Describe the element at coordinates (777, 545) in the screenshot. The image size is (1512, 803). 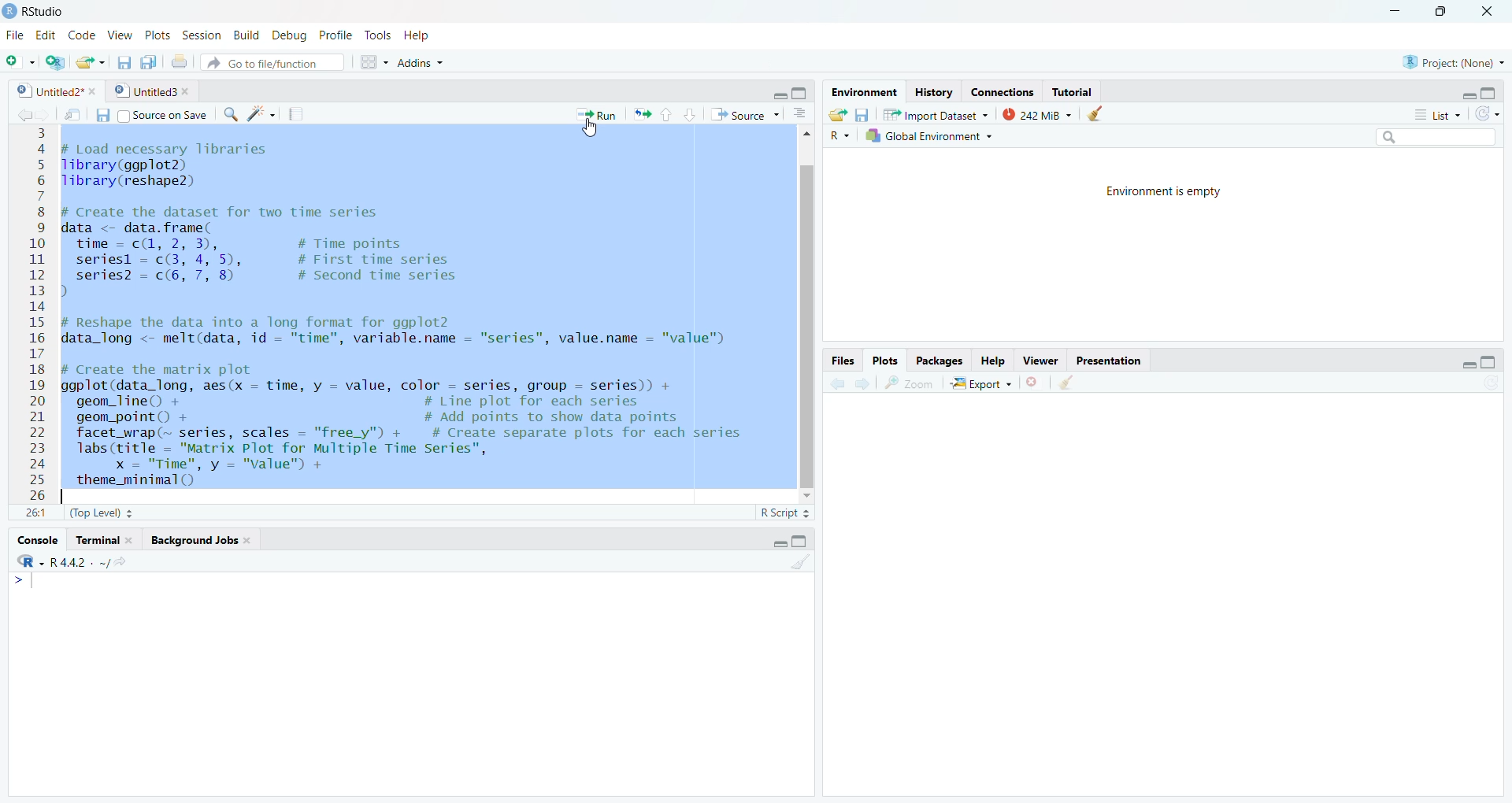
I see `minimize` at that location.